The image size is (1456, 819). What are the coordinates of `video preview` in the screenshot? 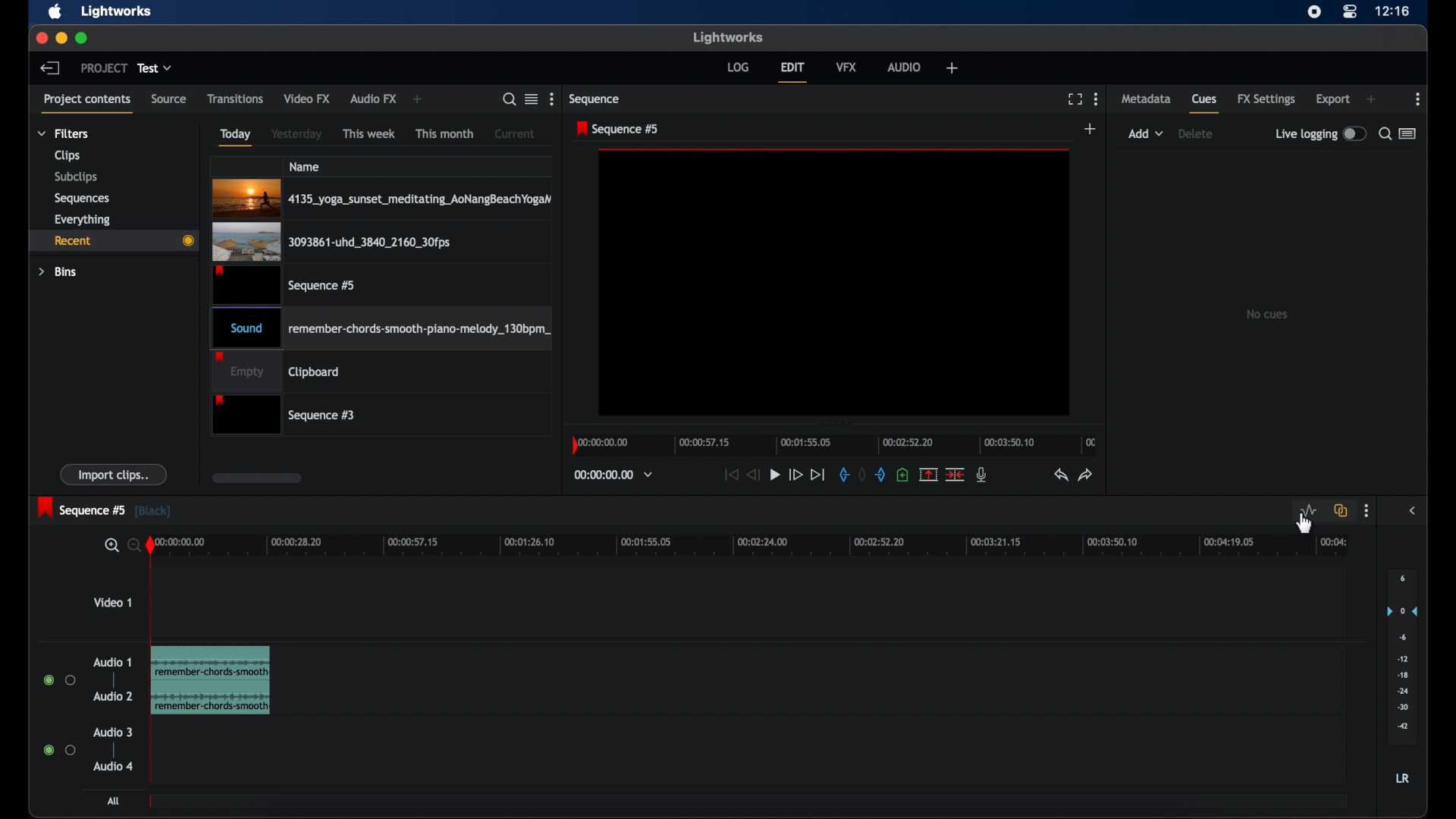 It's located at (834, 283).